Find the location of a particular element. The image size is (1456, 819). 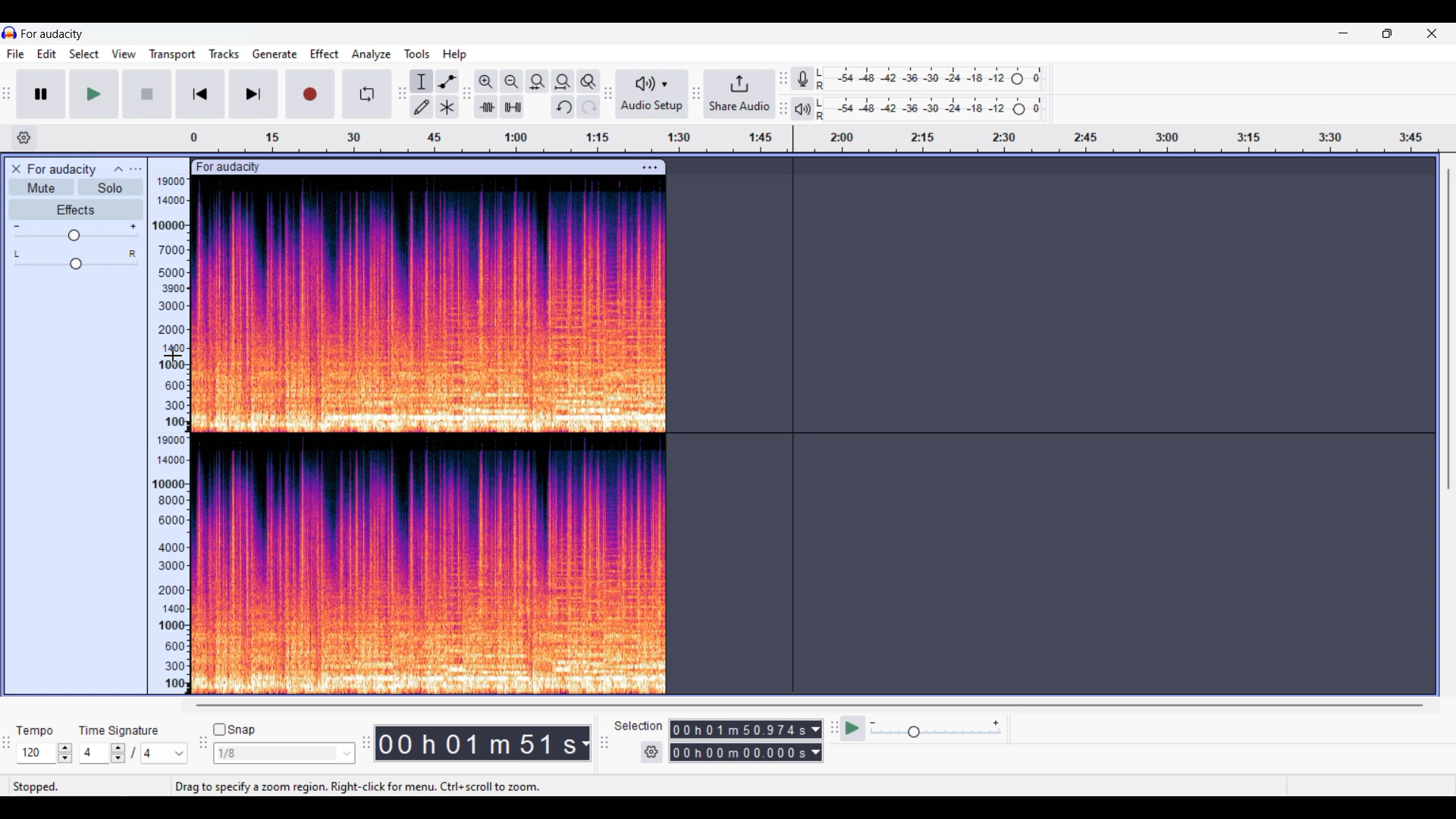

Tracks menu is located at coordinates (224, 53).